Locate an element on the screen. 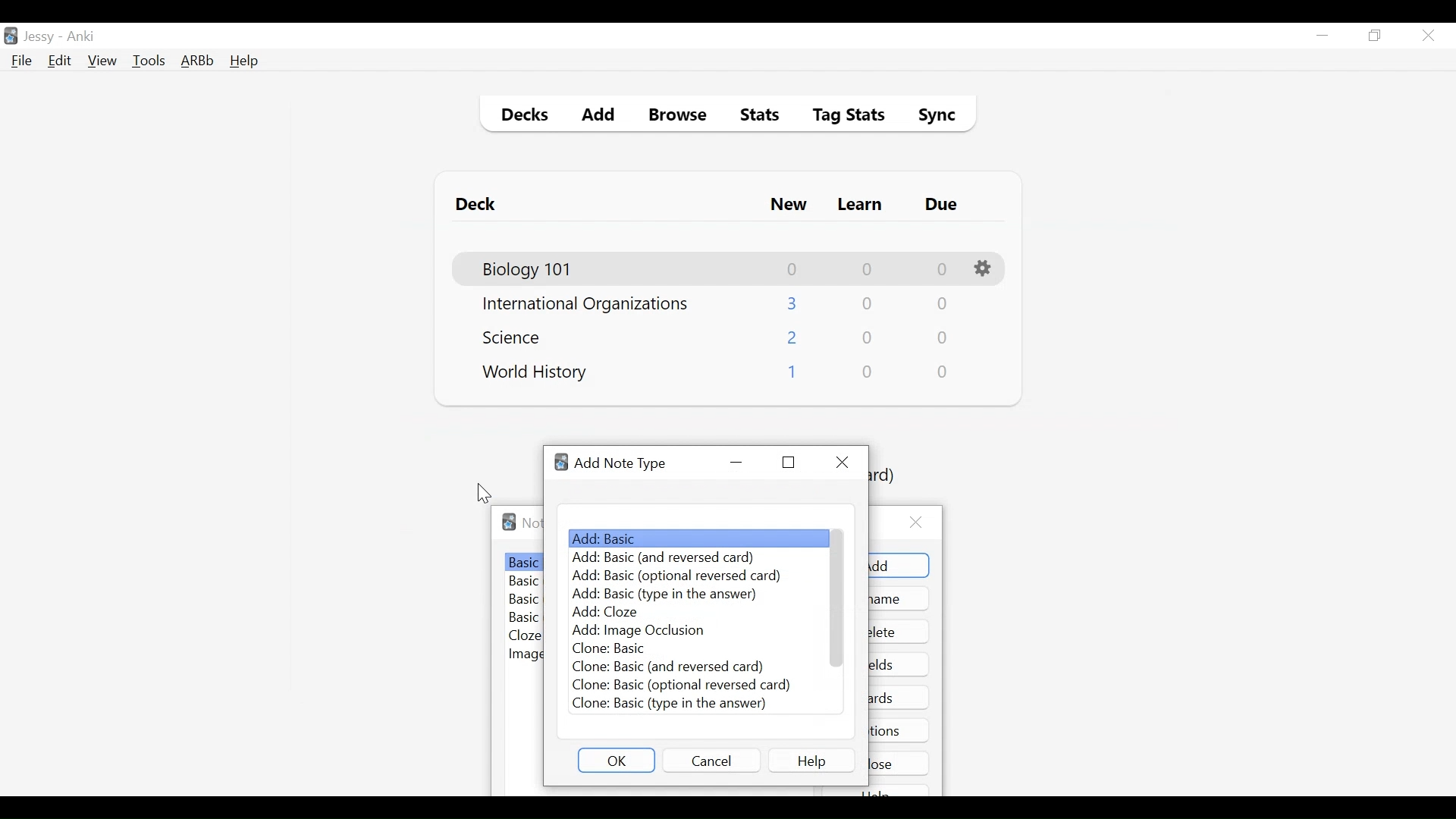  Edit is located at coordinates (58, 62).